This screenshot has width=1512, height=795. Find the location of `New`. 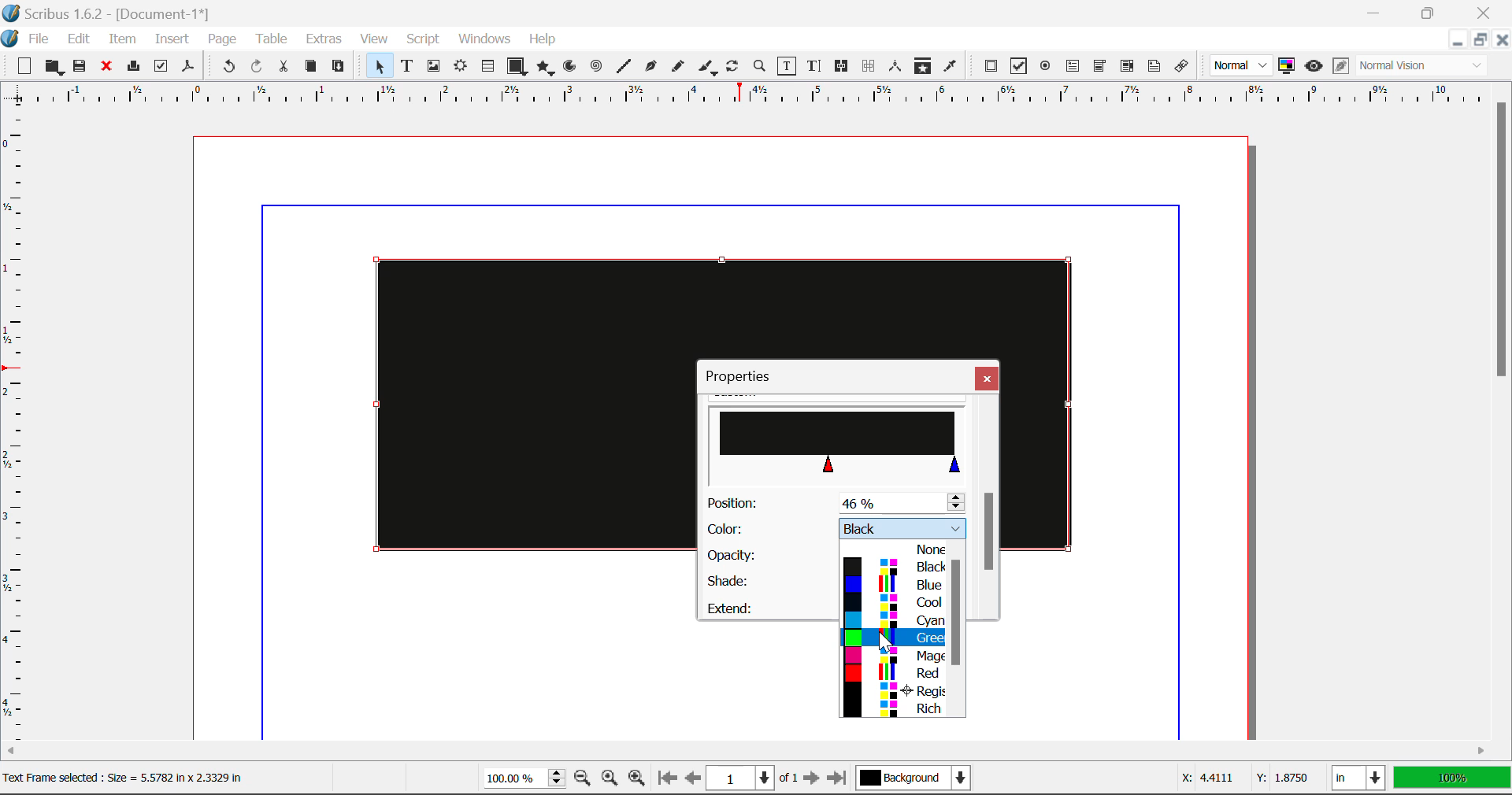

New is located at coordinates (20, 67).